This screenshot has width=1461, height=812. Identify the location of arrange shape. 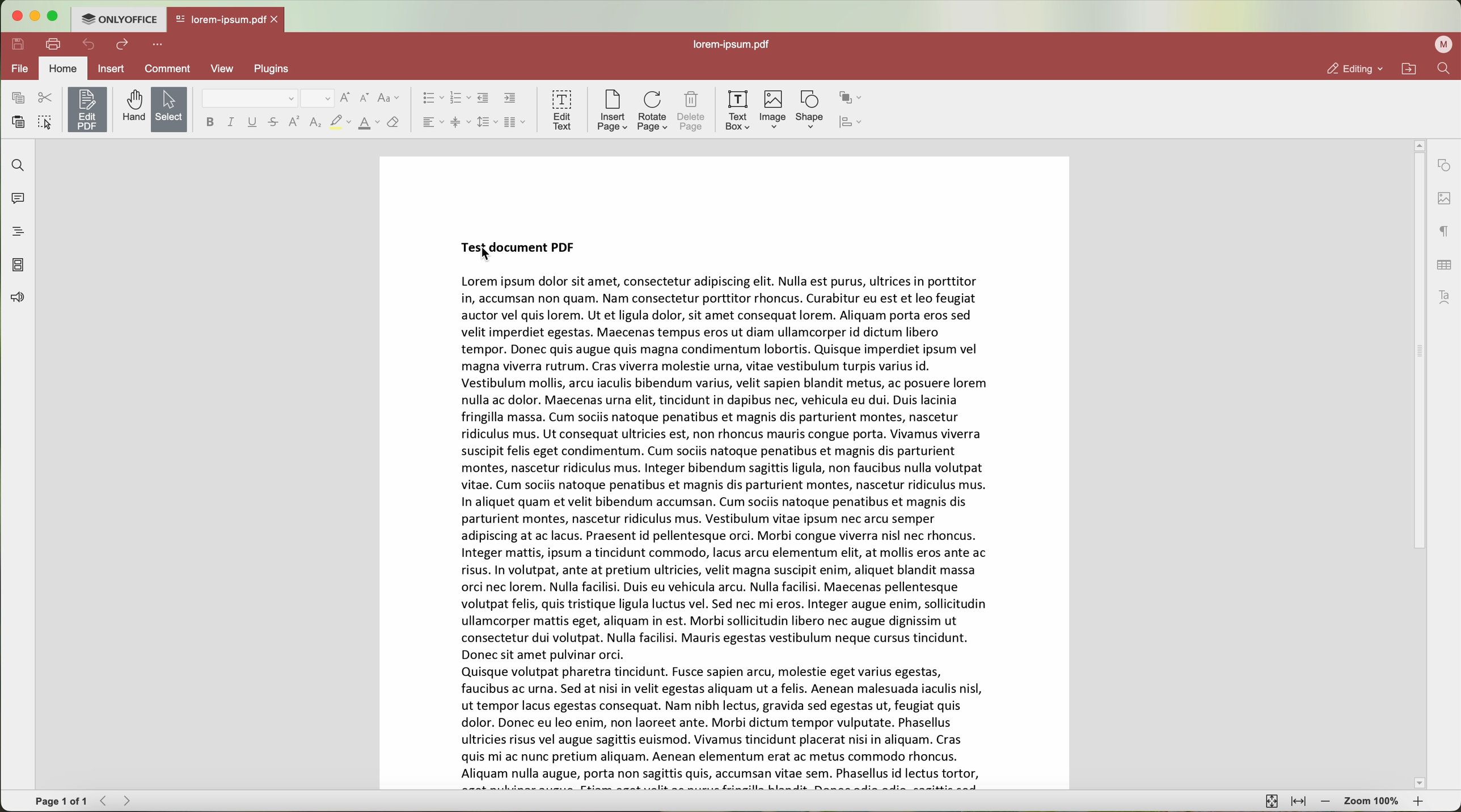
(851, 98).